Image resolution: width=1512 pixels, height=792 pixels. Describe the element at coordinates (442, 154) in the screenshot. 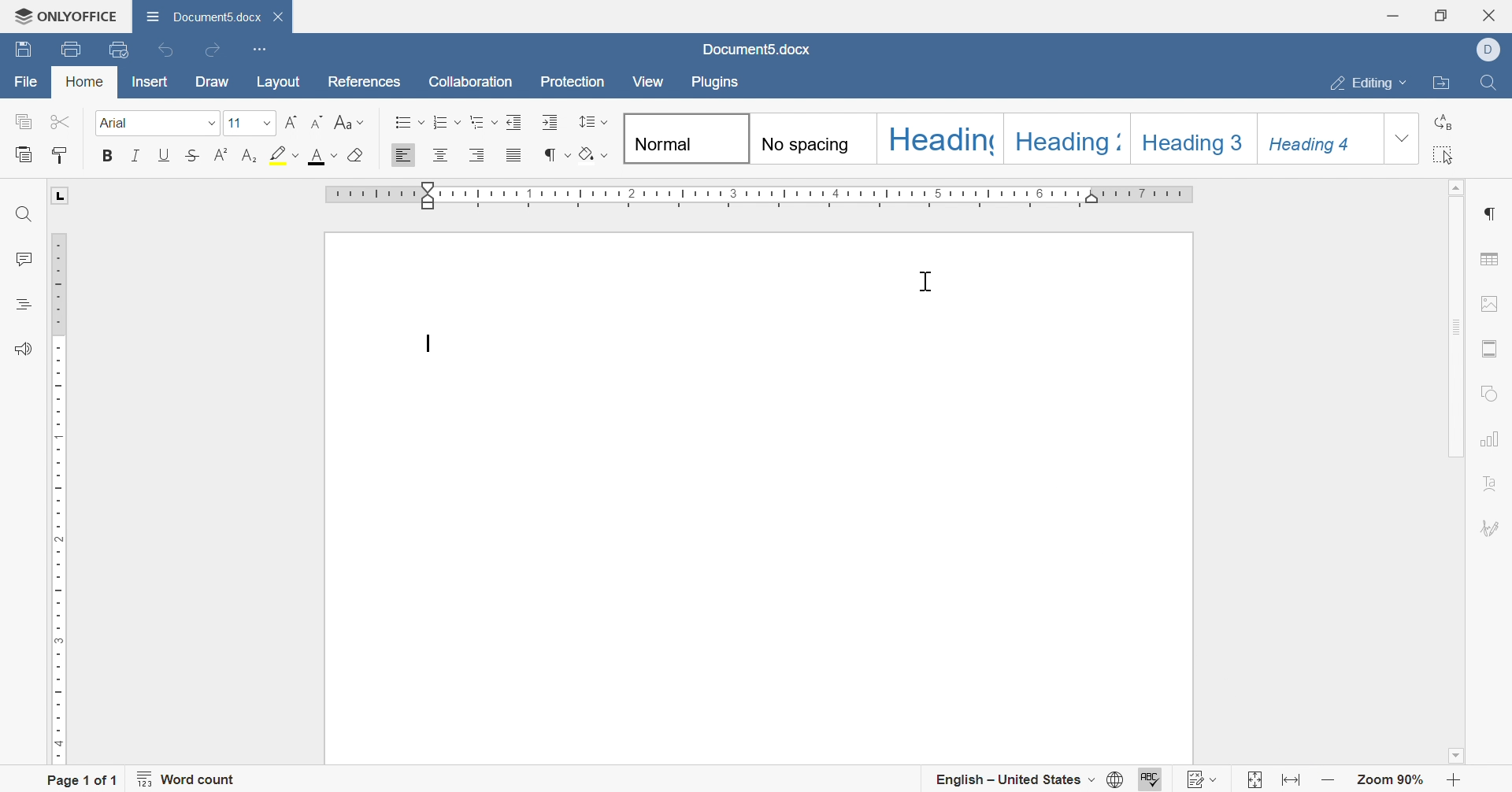

I see `align middle` at that location.